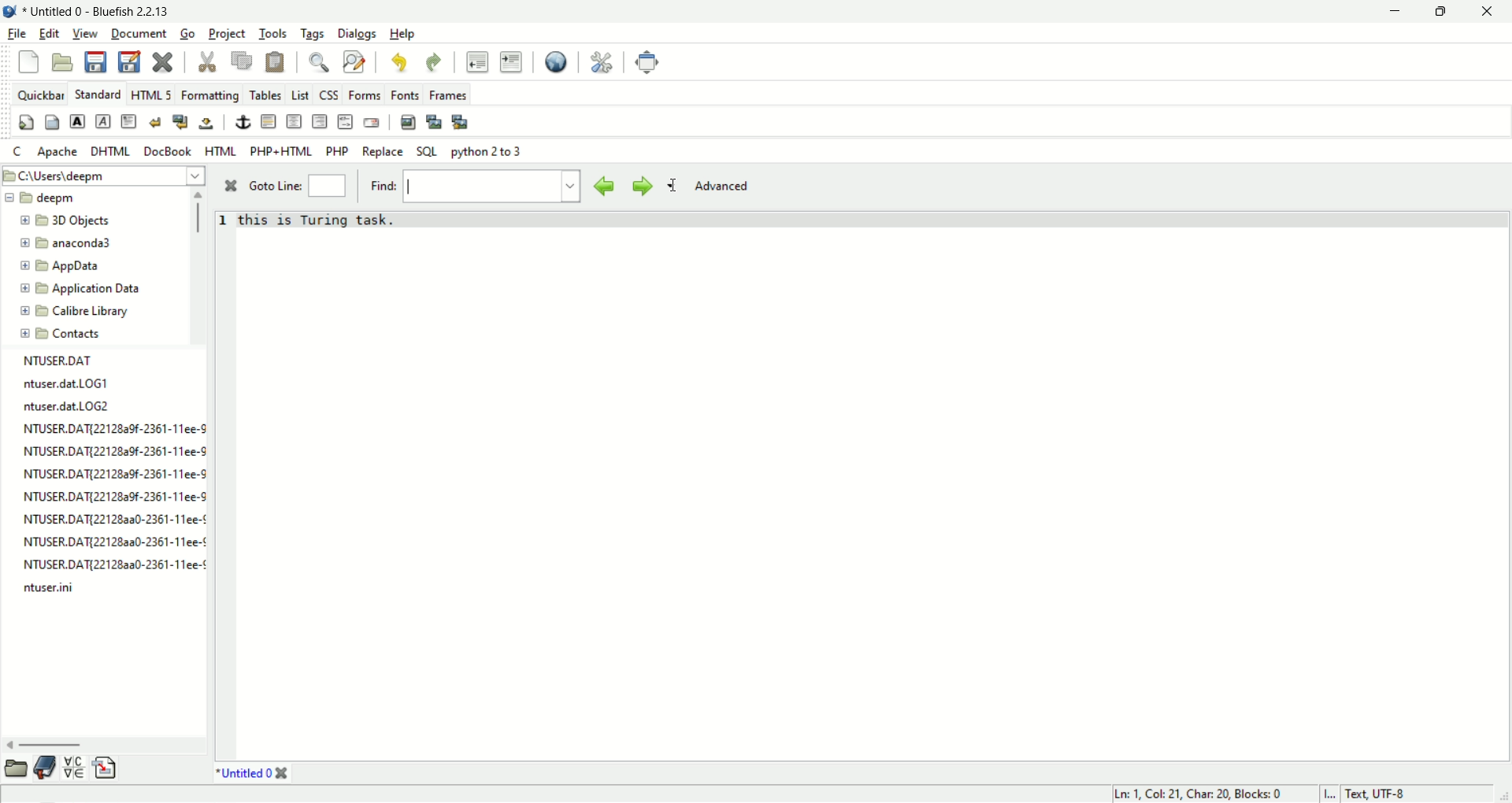 The height and width of the screenshot is (803, 1512). Describe the element at coordinates (383, 152) in the screenshot. I see `Replace` at that location.